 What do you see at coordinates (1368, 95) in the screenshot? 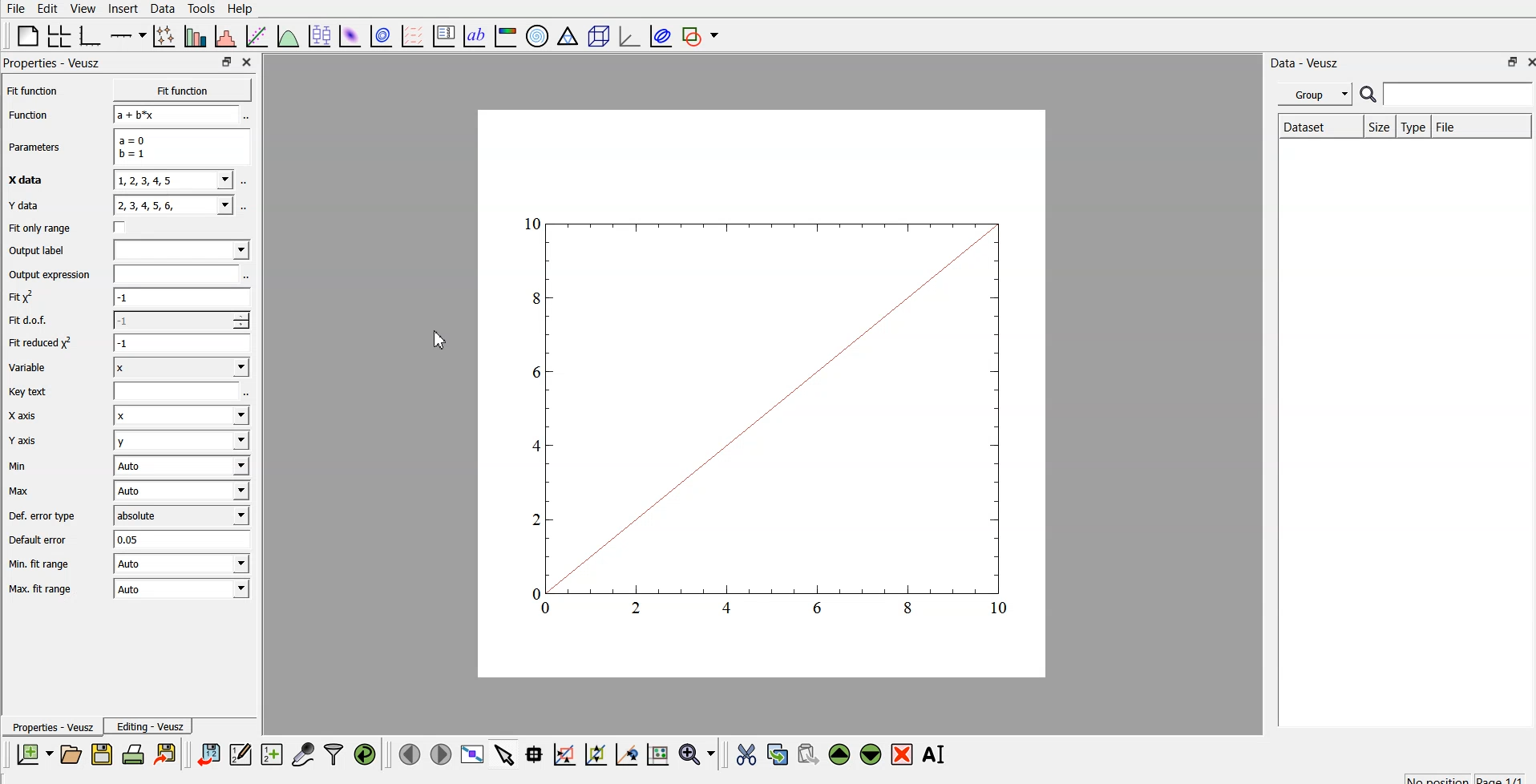
I see `search` at bounding box center [1368, 95].